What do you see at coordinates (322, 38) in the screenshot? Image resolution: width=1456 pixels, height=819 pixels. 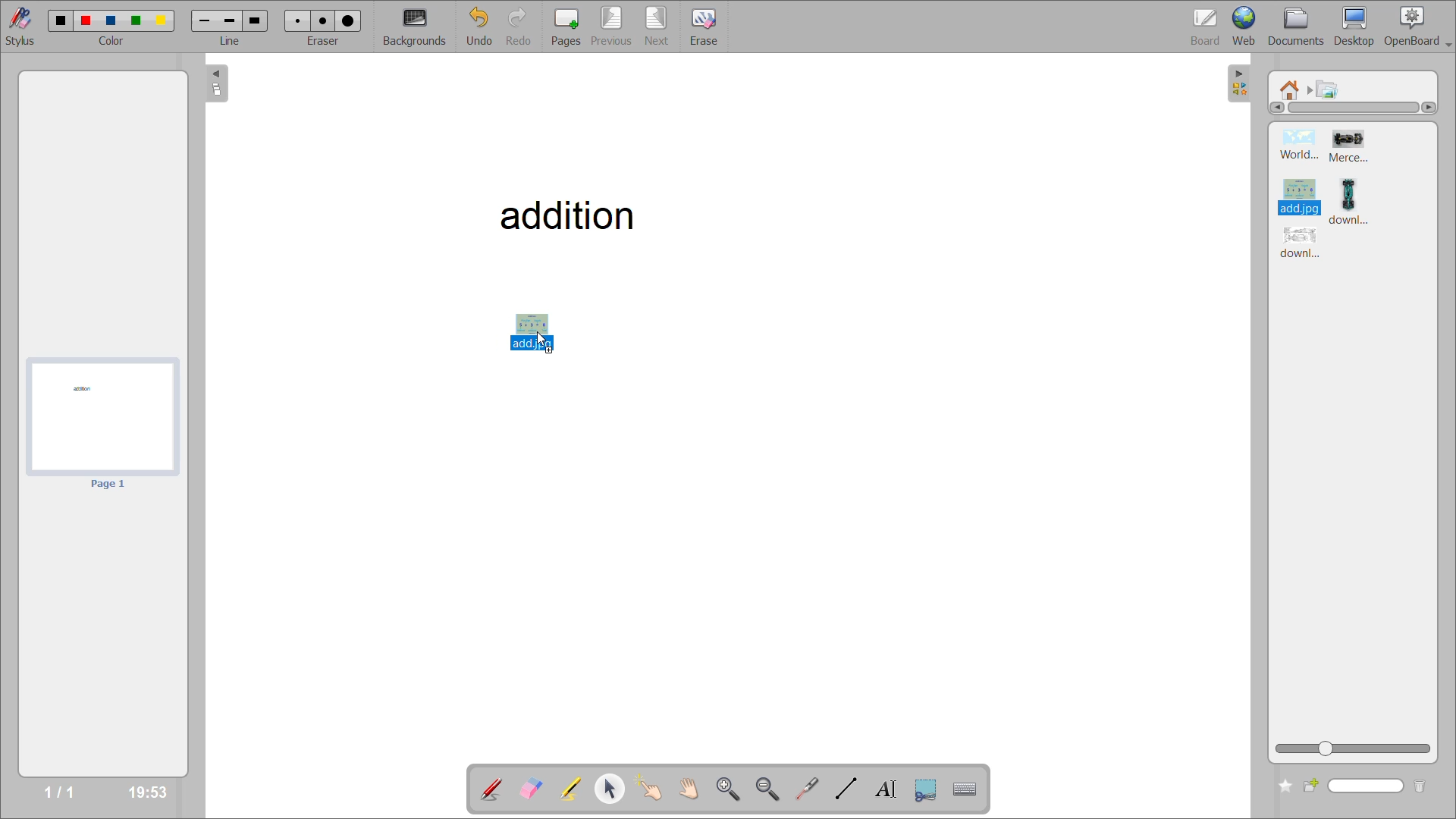 I see `eraser` at bounding box center [322, 38].